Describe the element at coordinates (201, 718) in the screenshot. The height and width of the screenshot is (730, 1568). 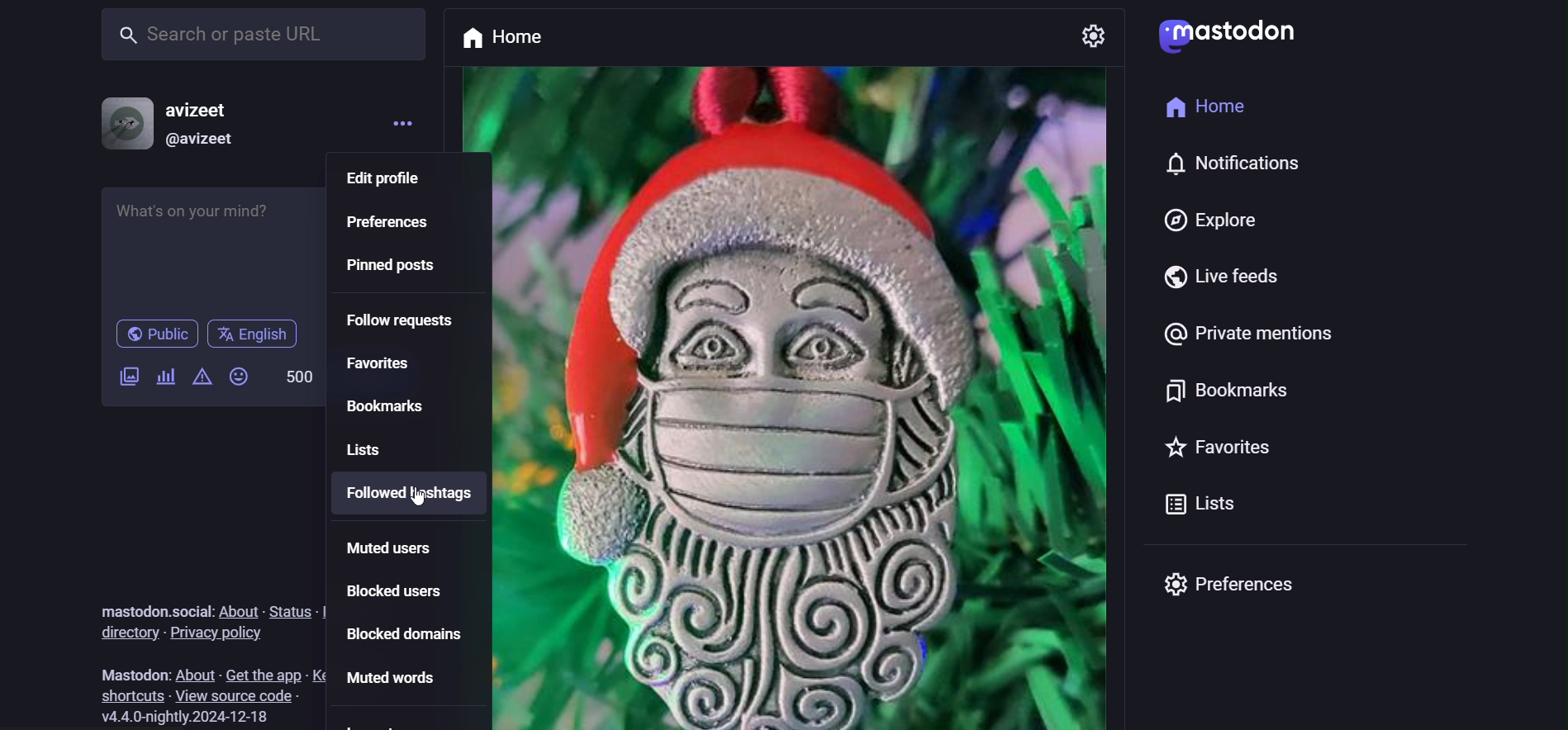
I see `version` at that location.